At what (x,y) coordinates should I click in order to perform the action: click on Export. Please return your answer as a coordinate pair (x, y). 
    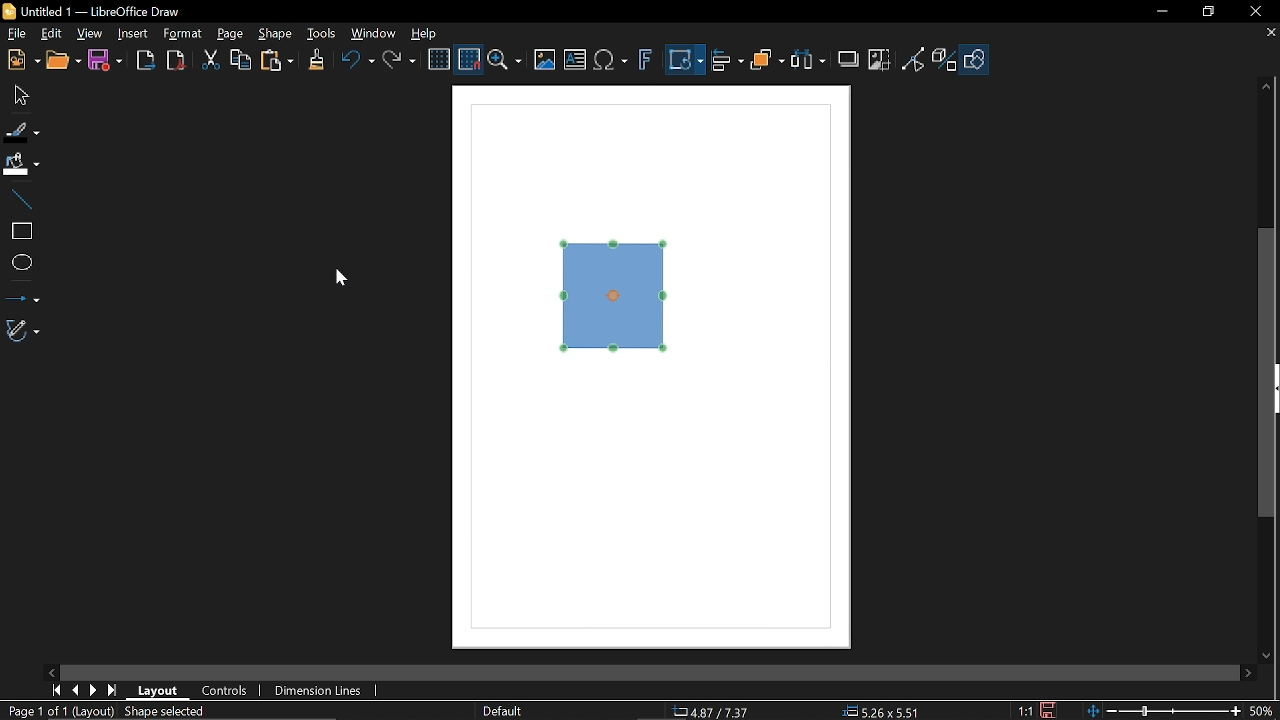
    Looking at the image, I should click on (142, 60).